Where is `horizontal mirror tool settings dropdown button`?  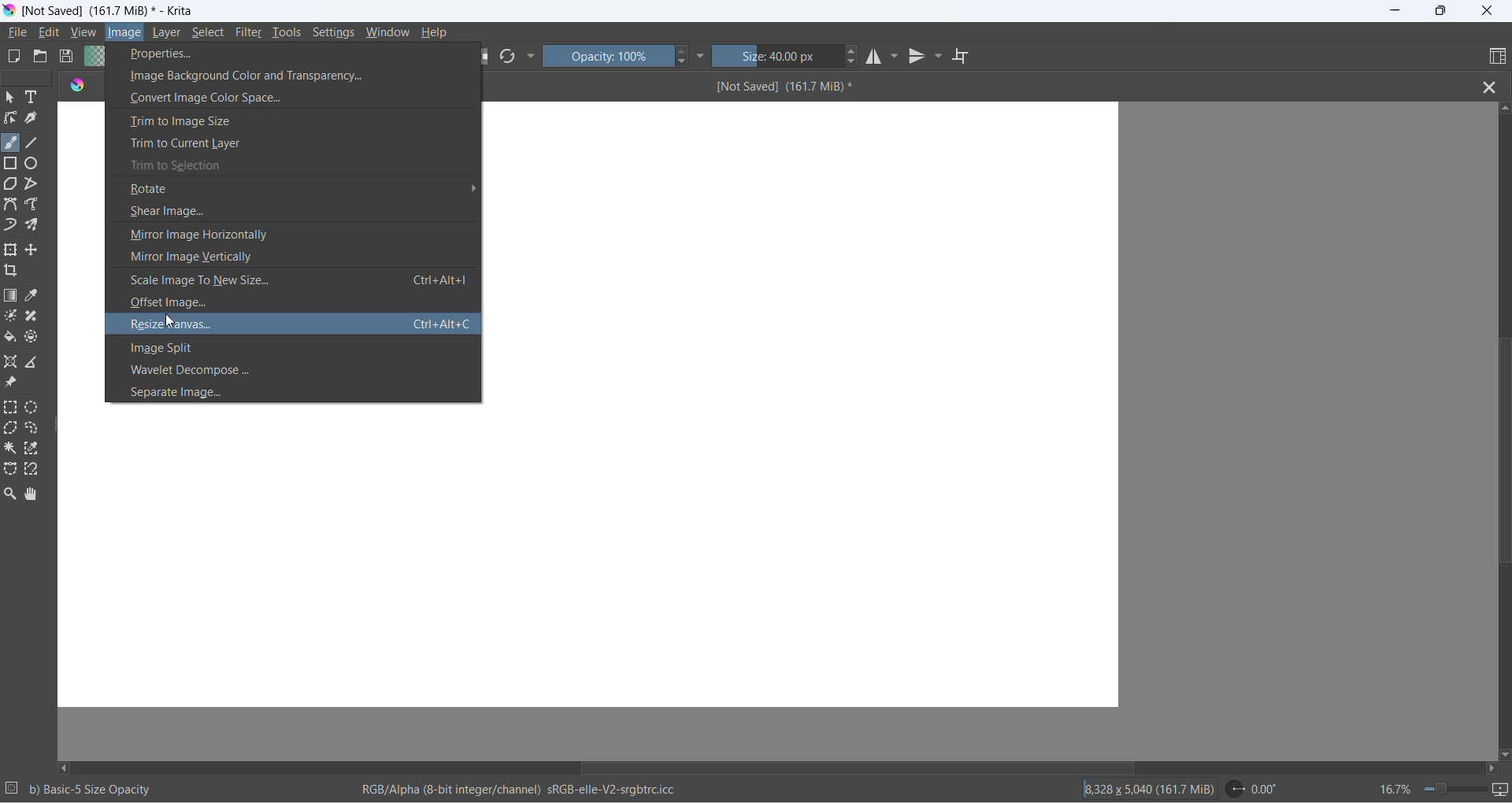
horizontal mirror tool settings dropdown button is located at coordinates (899, 60).